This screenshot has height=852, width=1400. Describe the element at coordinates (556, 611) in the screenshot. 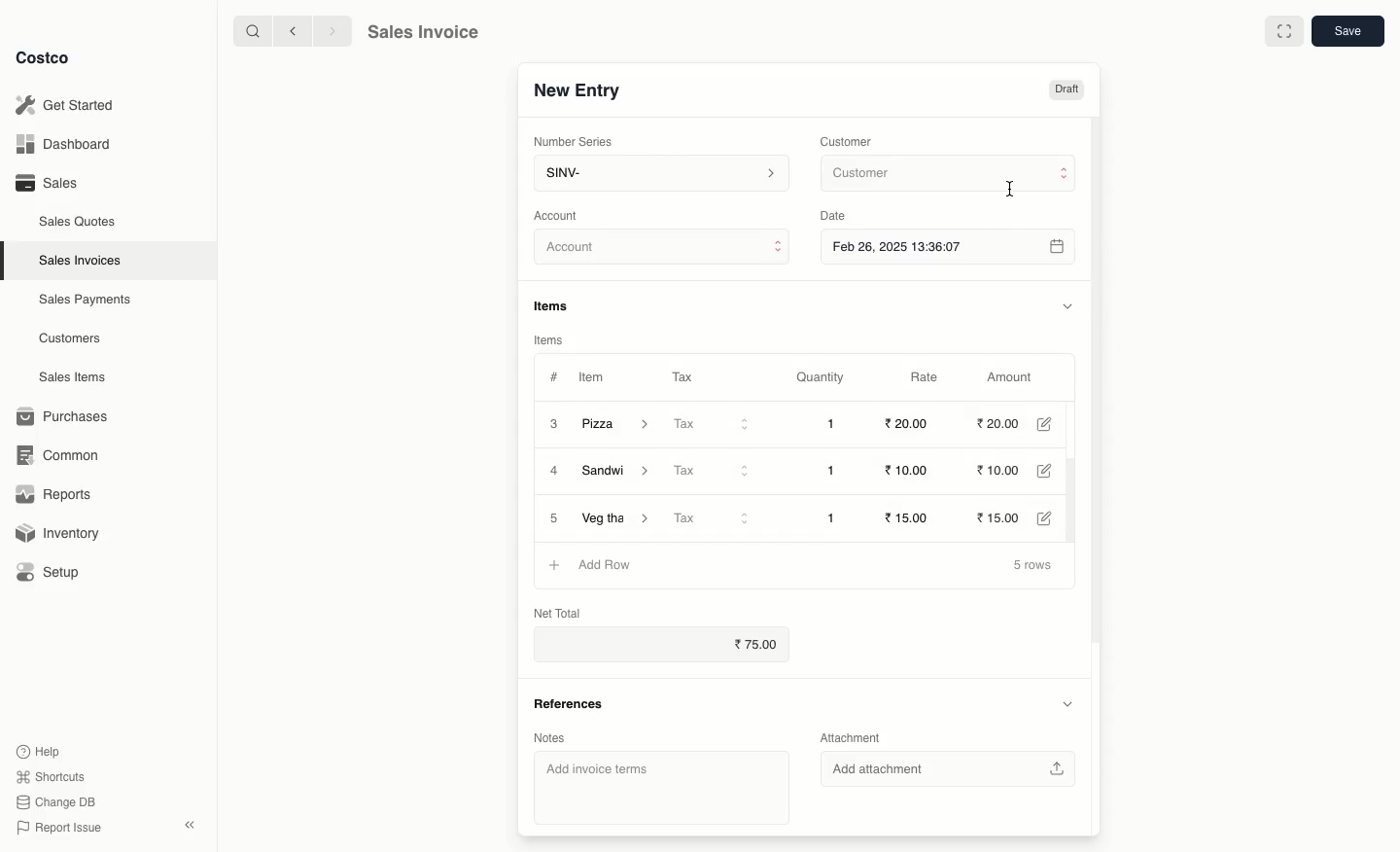

I see `Net Total` at that location.